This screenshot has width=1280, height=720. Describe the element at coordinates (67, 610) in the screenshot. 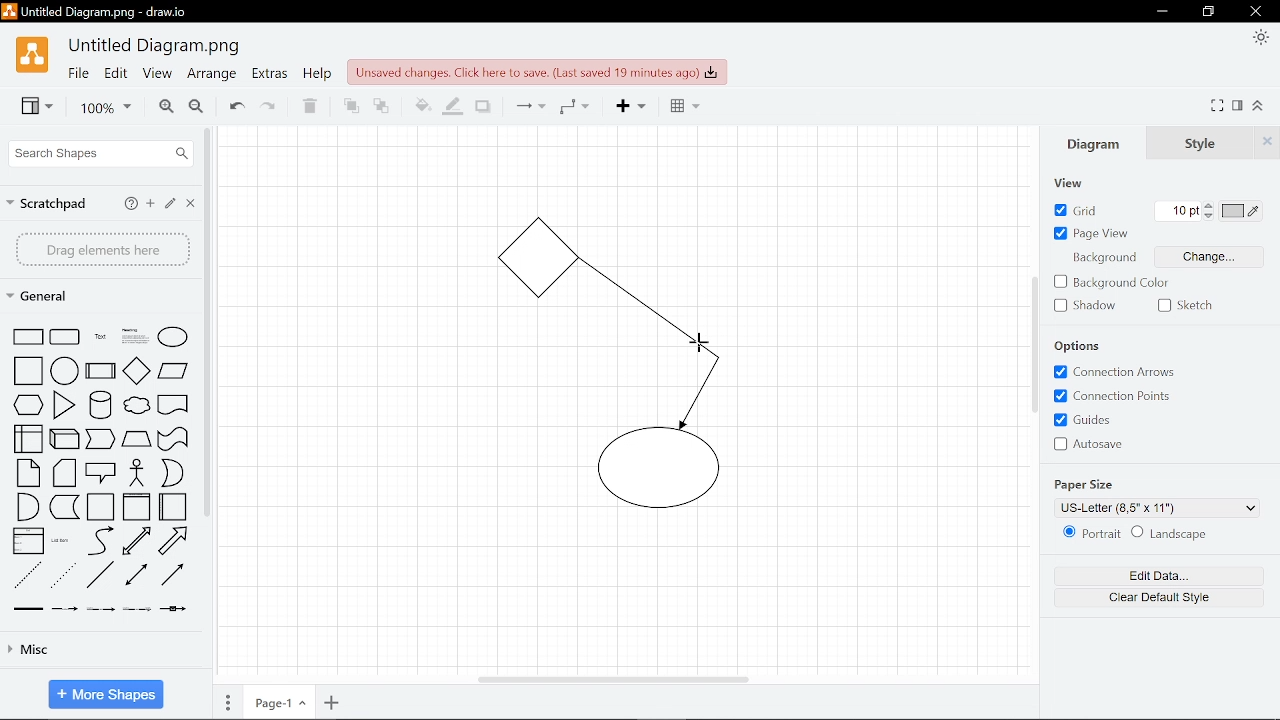

I see `shape` at that location.